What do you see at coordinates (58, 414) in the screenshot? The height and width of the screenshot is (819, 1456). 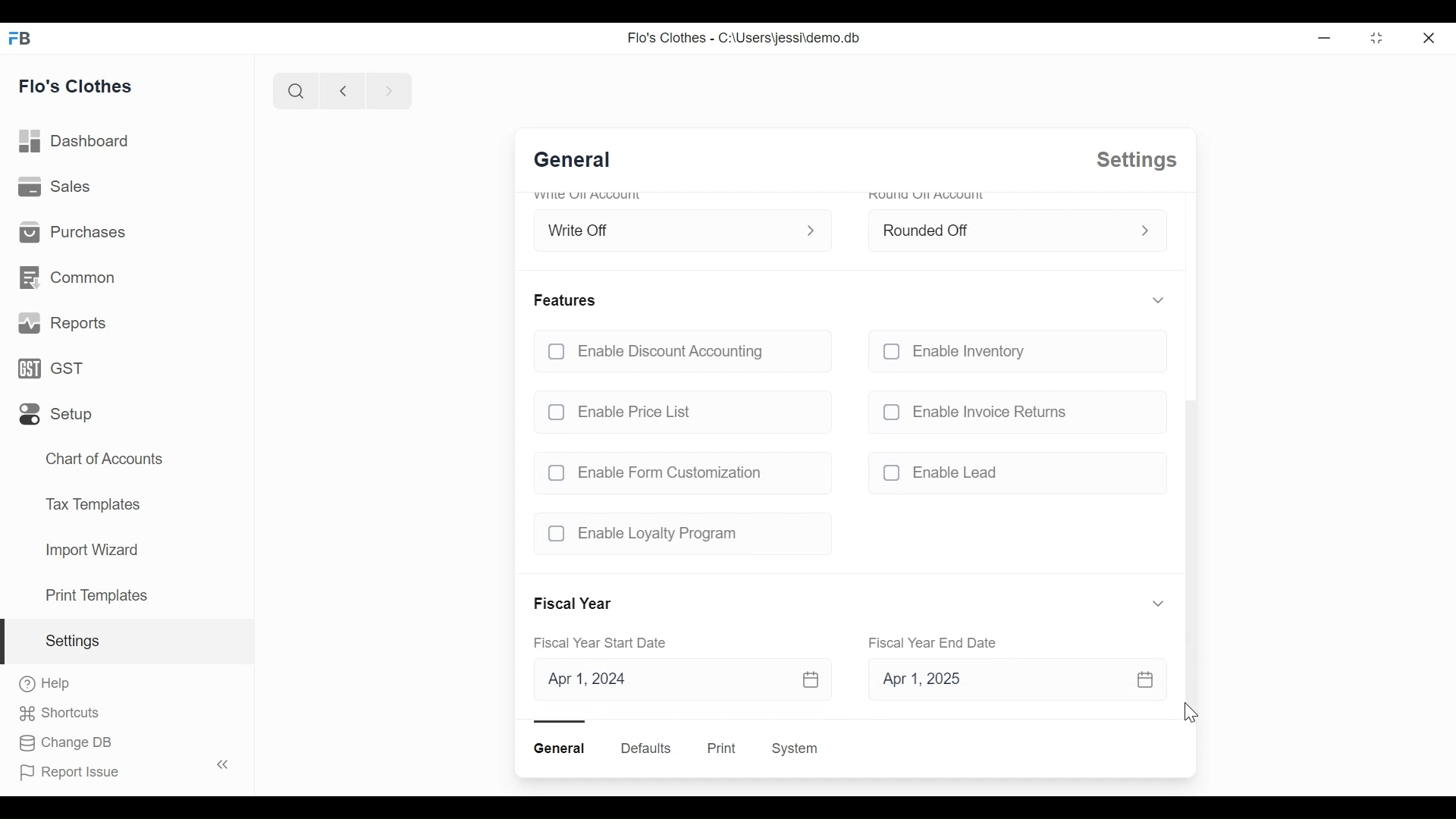 I see `Setup` at bounding box center [58, 414].